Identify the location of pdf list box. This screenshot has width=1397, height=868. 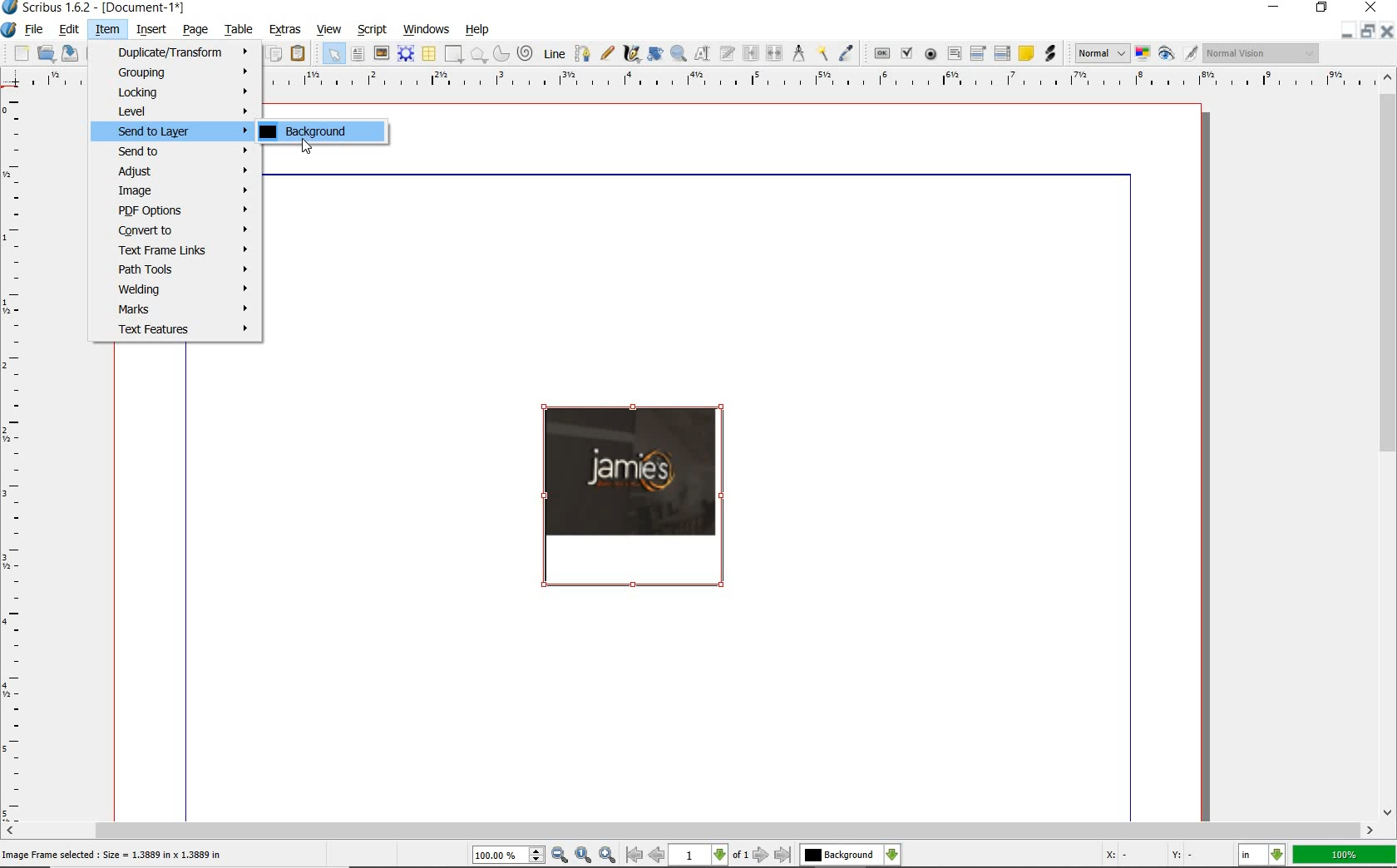
(1002, 55).